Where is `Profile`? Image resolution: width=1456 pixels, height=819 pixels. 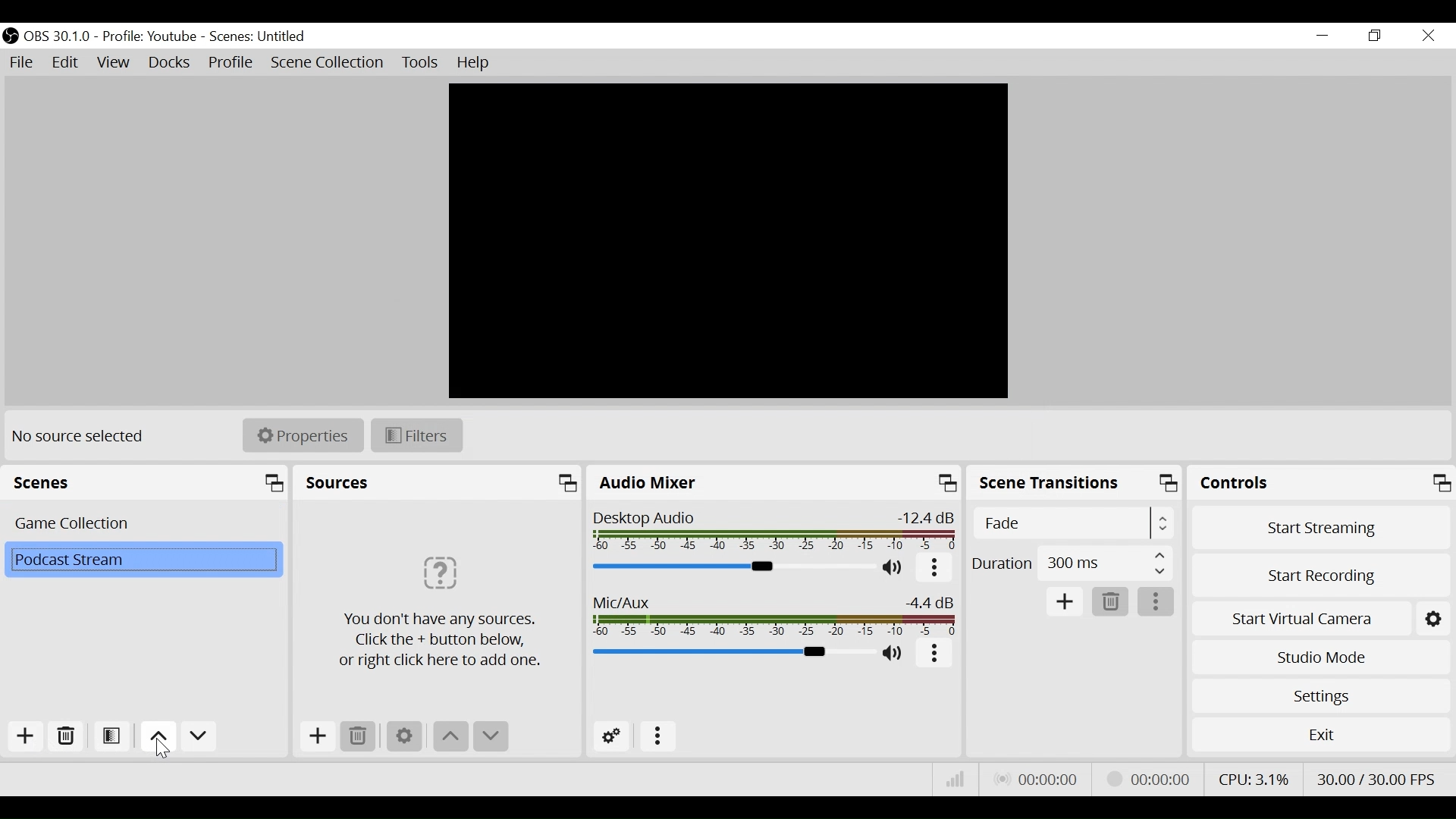 Profile is located at coordinates (231, 64).